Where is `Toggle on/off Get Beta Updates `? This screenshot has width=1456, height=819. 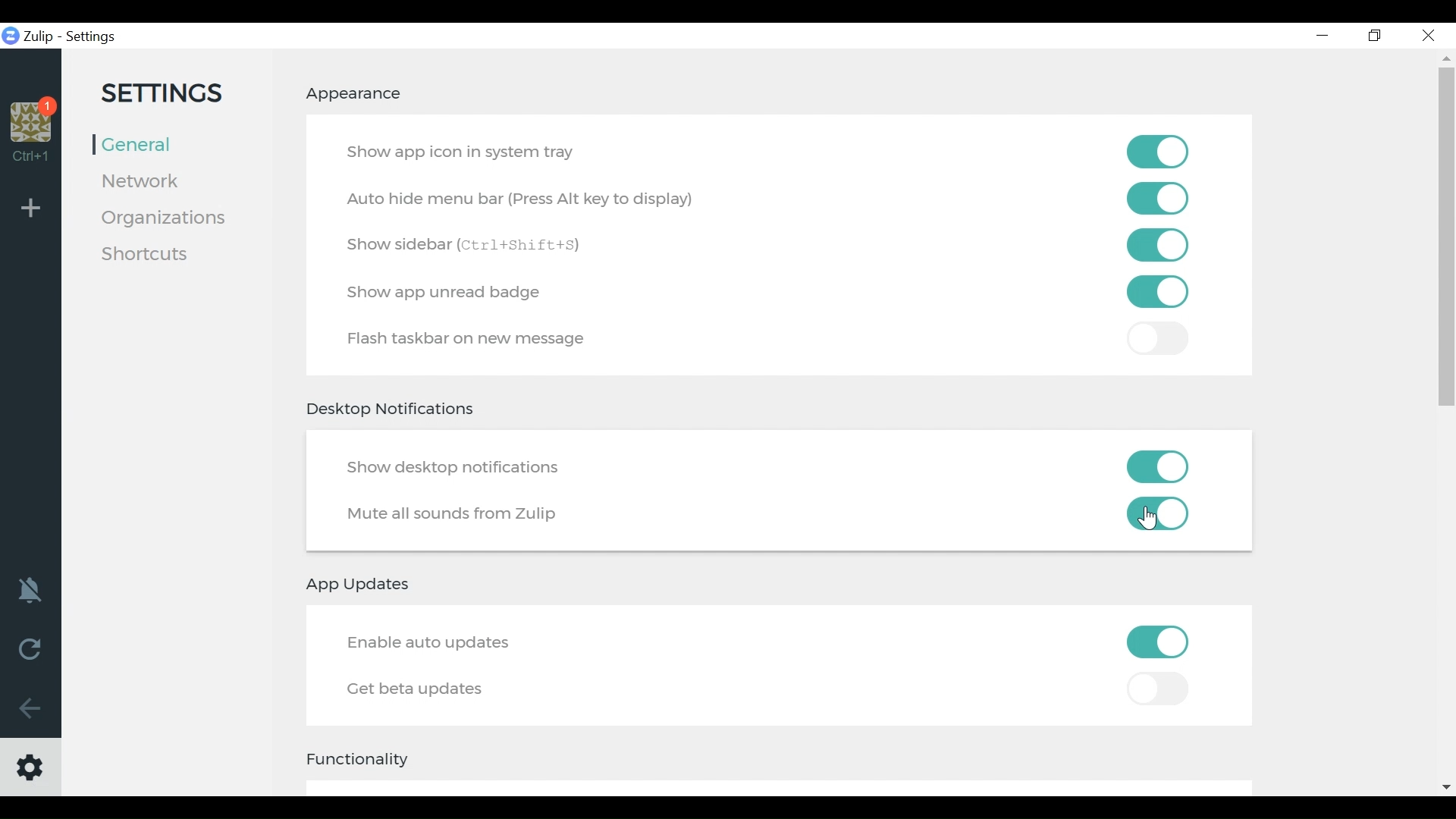
Toggle on/off Get Beta Updates  is located at coordinates (1156, 691).